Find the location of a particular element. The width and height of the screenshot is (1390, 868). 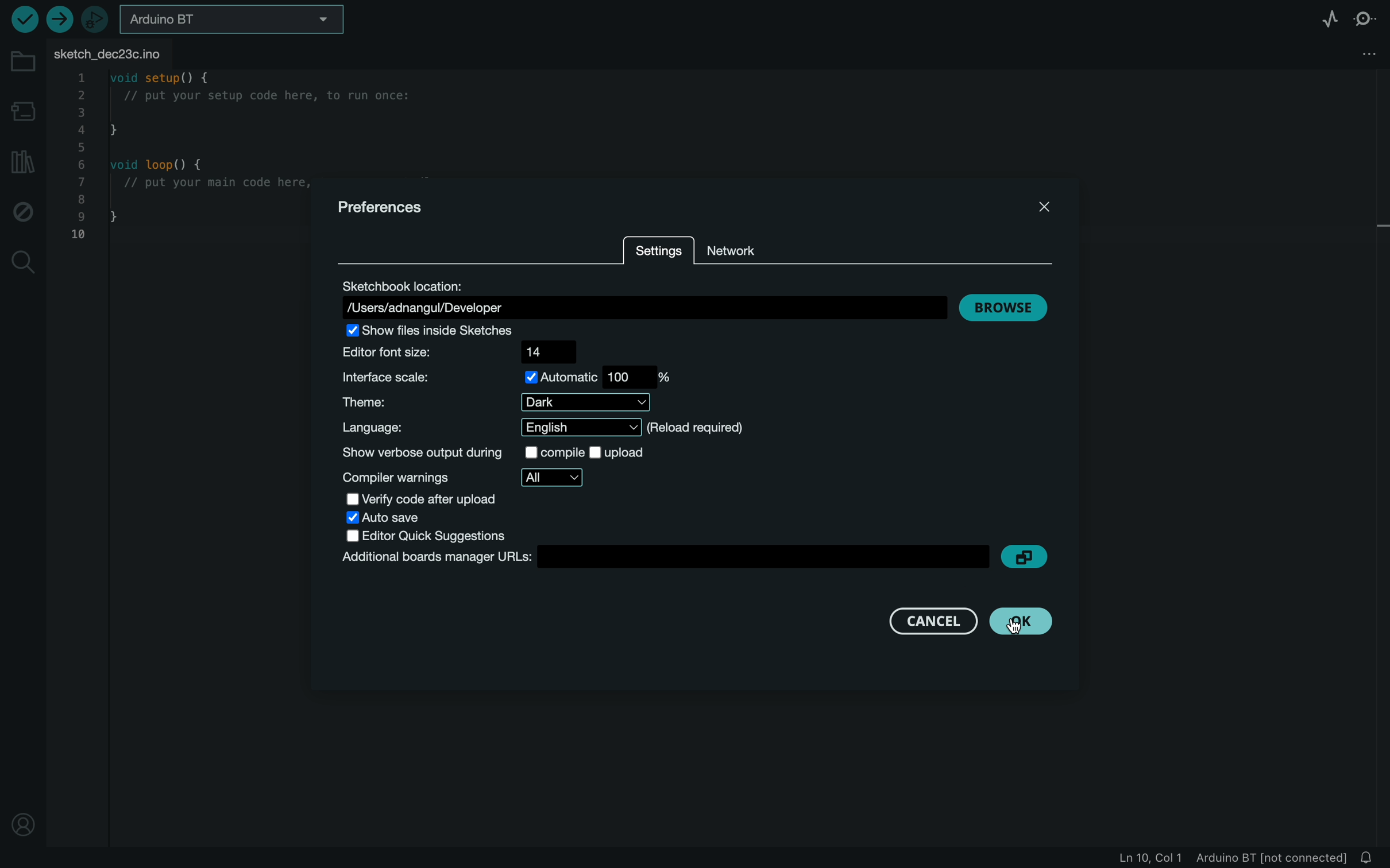

14 is located at coordinates (545, 351).